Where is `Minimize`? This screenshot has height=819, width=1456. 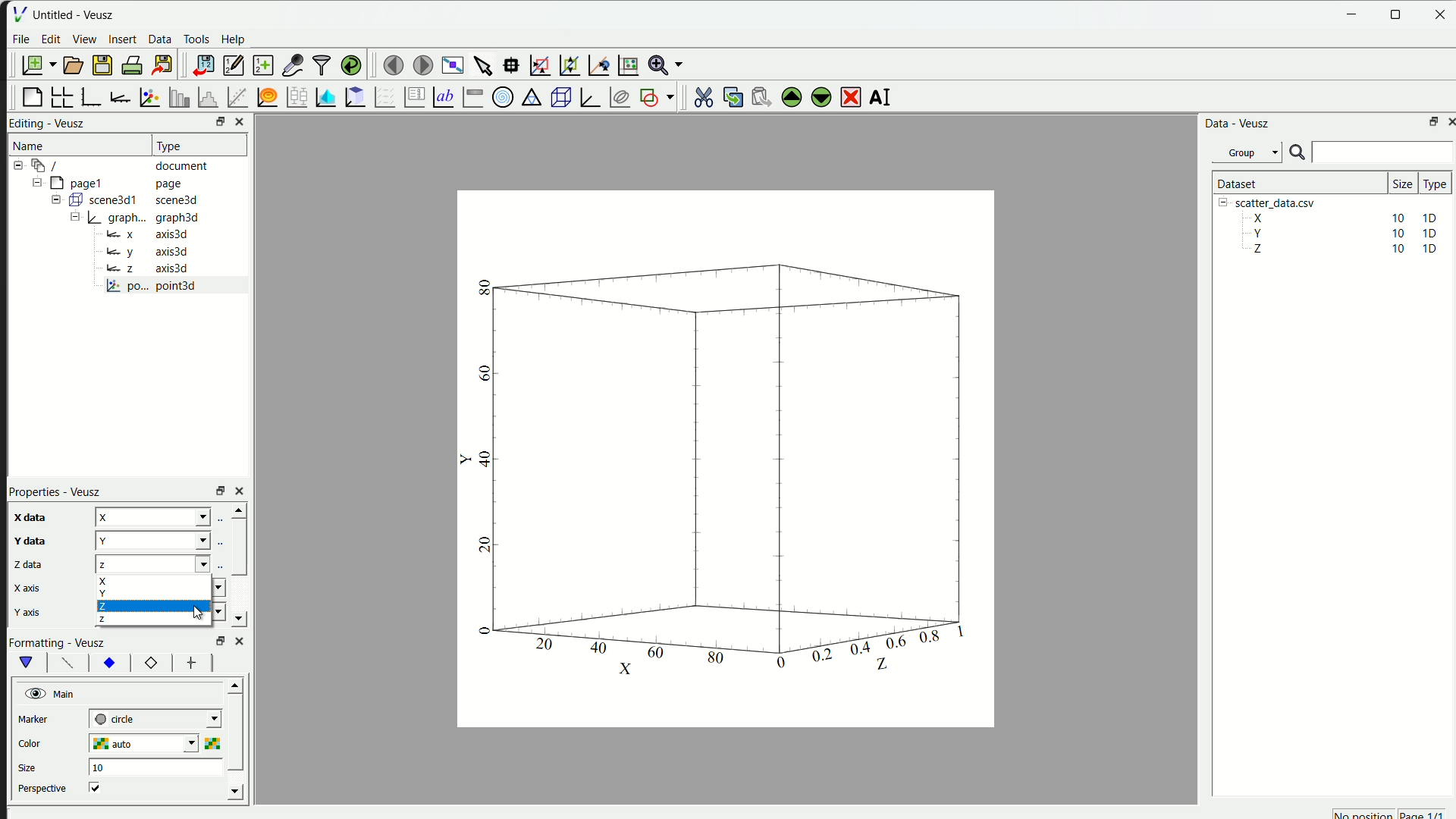
Minimize is located at coordinates (1353, 14).